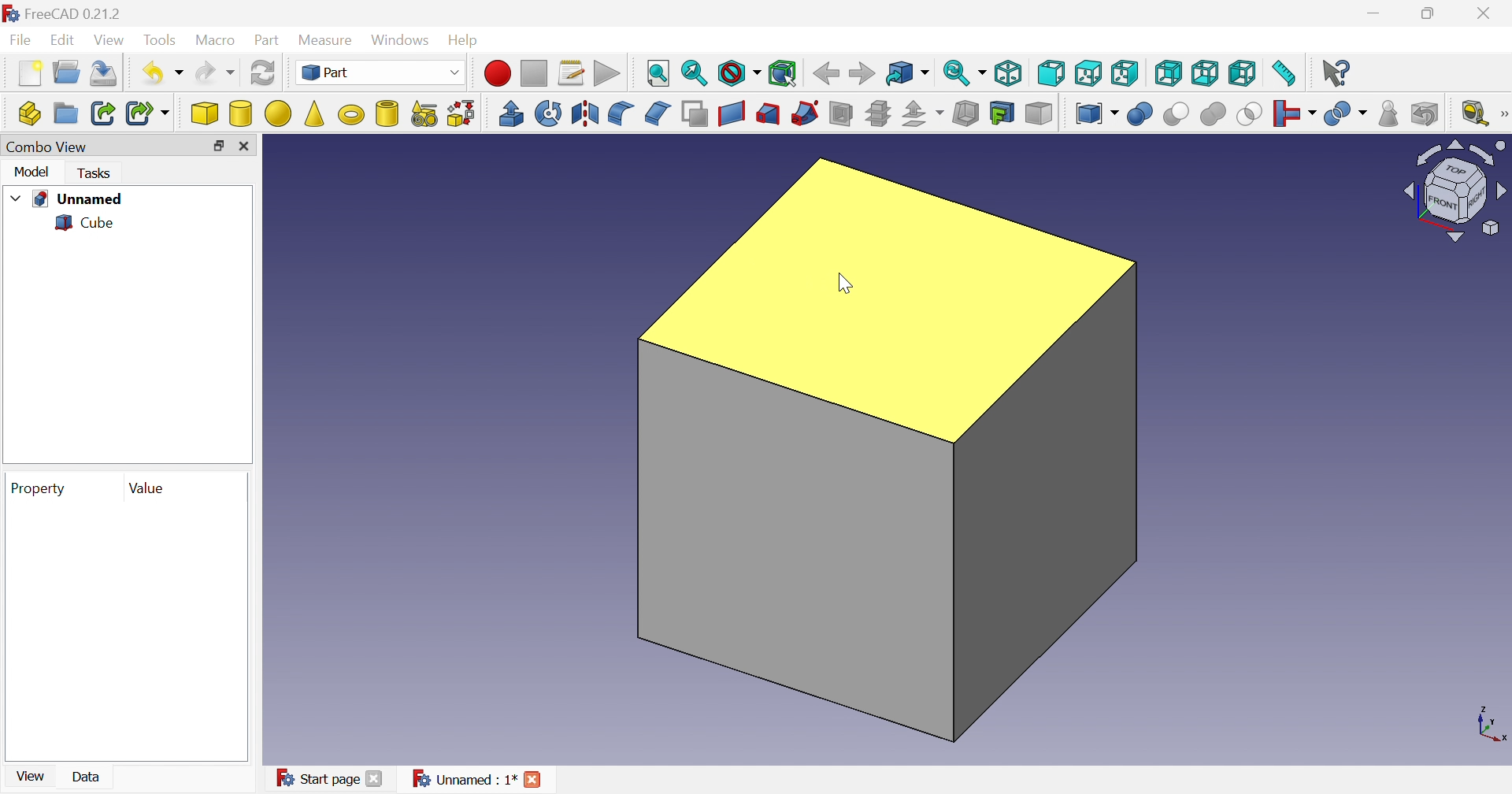  What do you see at coordinates (694, 71) in the screenshot?
I see `Fit selection` at bounding box center [694, 71].